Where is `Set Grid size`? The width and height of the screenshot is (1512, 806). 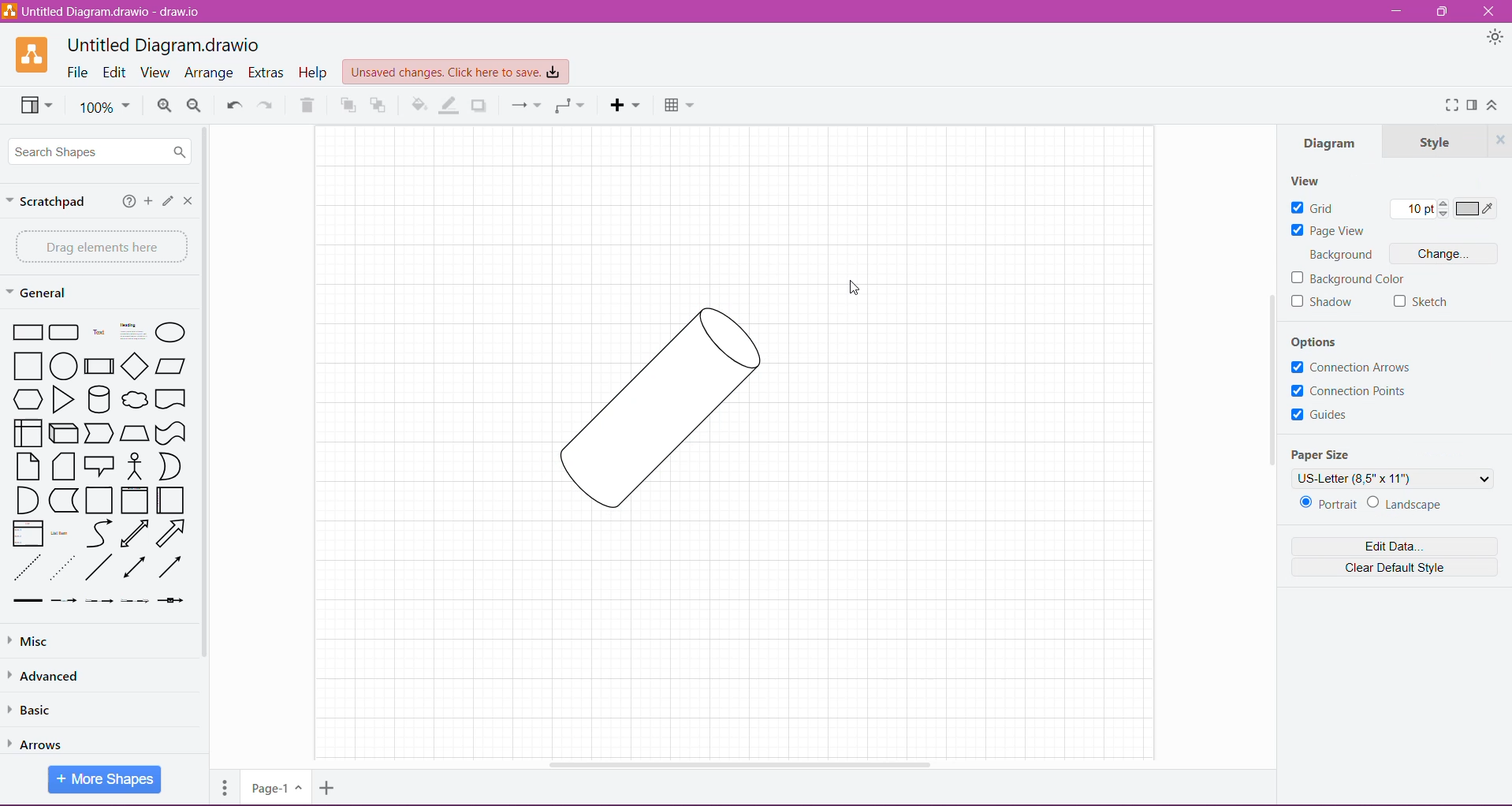 Set Grid size is located at coordinates (1418, 210).